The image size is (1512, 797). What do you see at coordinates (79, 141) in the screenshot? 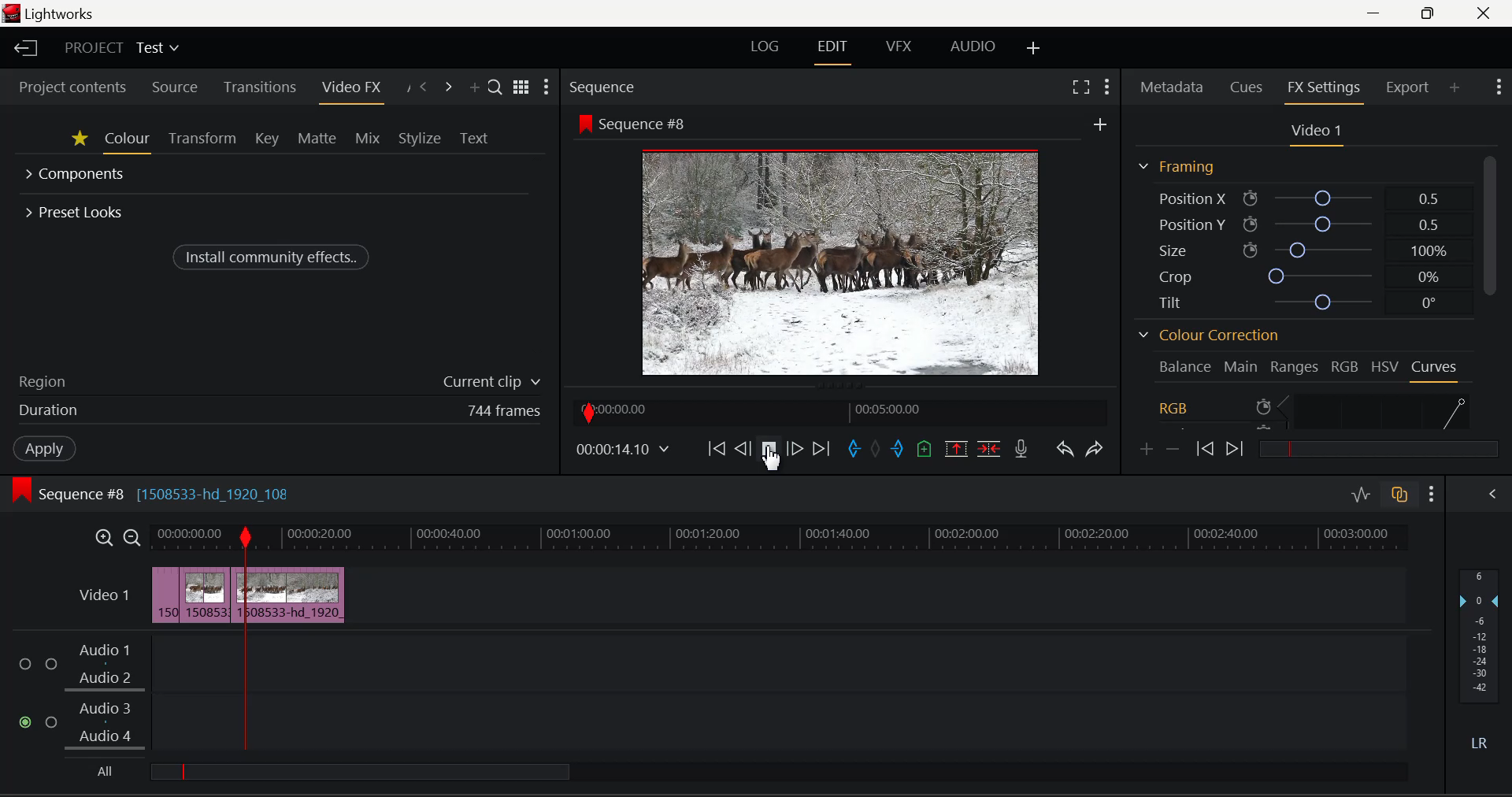
I see `Favorites` at bounding box center [79, 141].